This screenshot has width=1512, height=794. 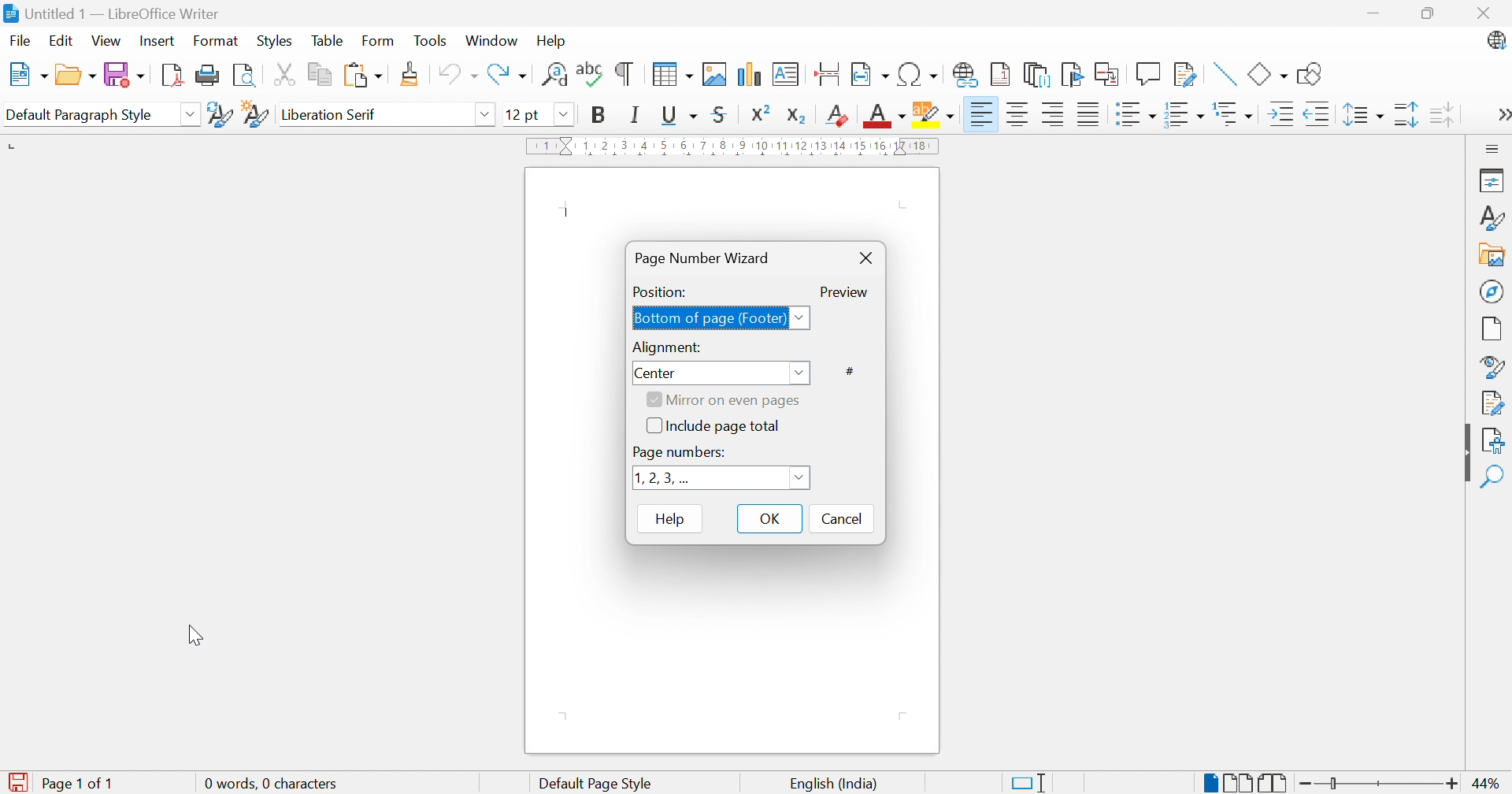 I want to click on Toggle formatting marks, so click(x=624, y=74).